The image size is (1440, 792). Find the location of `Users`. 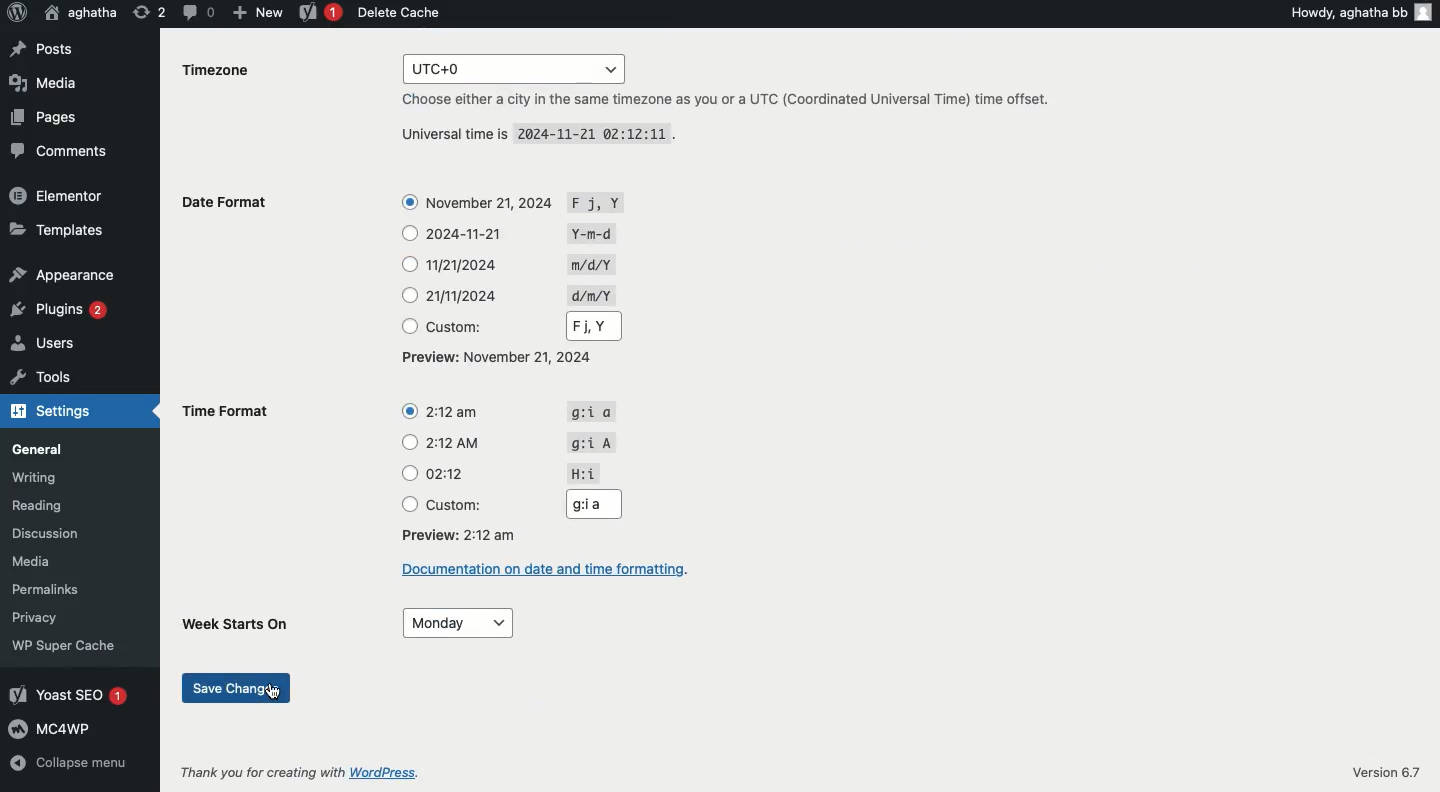

Users is located at coordinates (50, 342).